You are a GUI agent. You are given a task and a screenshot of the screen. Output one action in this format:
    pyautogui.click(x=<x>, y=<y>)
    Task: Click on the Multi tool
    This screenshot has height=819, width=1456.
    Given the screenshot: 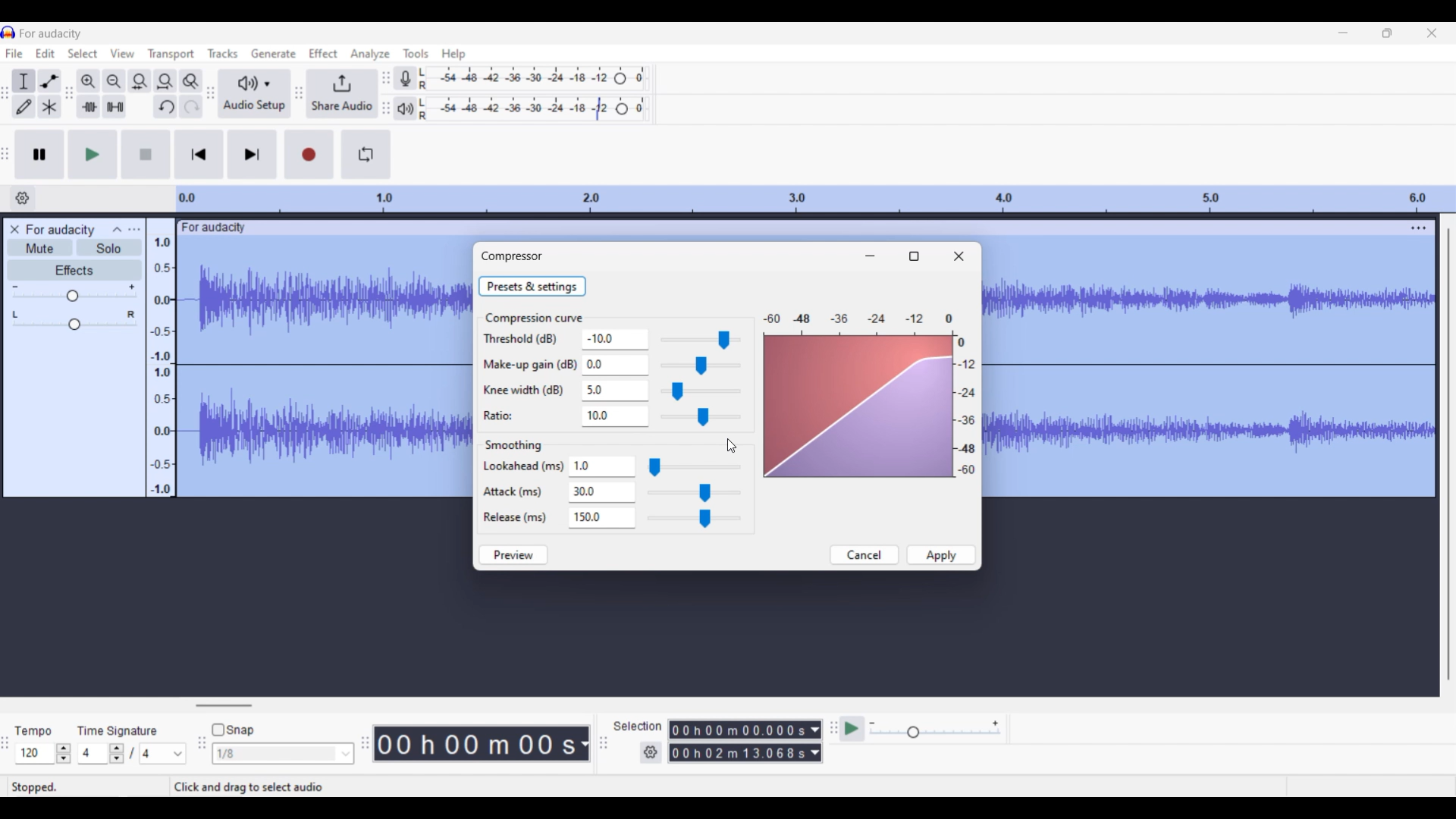 What is the action you would take?
    pyautogui.click(x=49, y=106)
    